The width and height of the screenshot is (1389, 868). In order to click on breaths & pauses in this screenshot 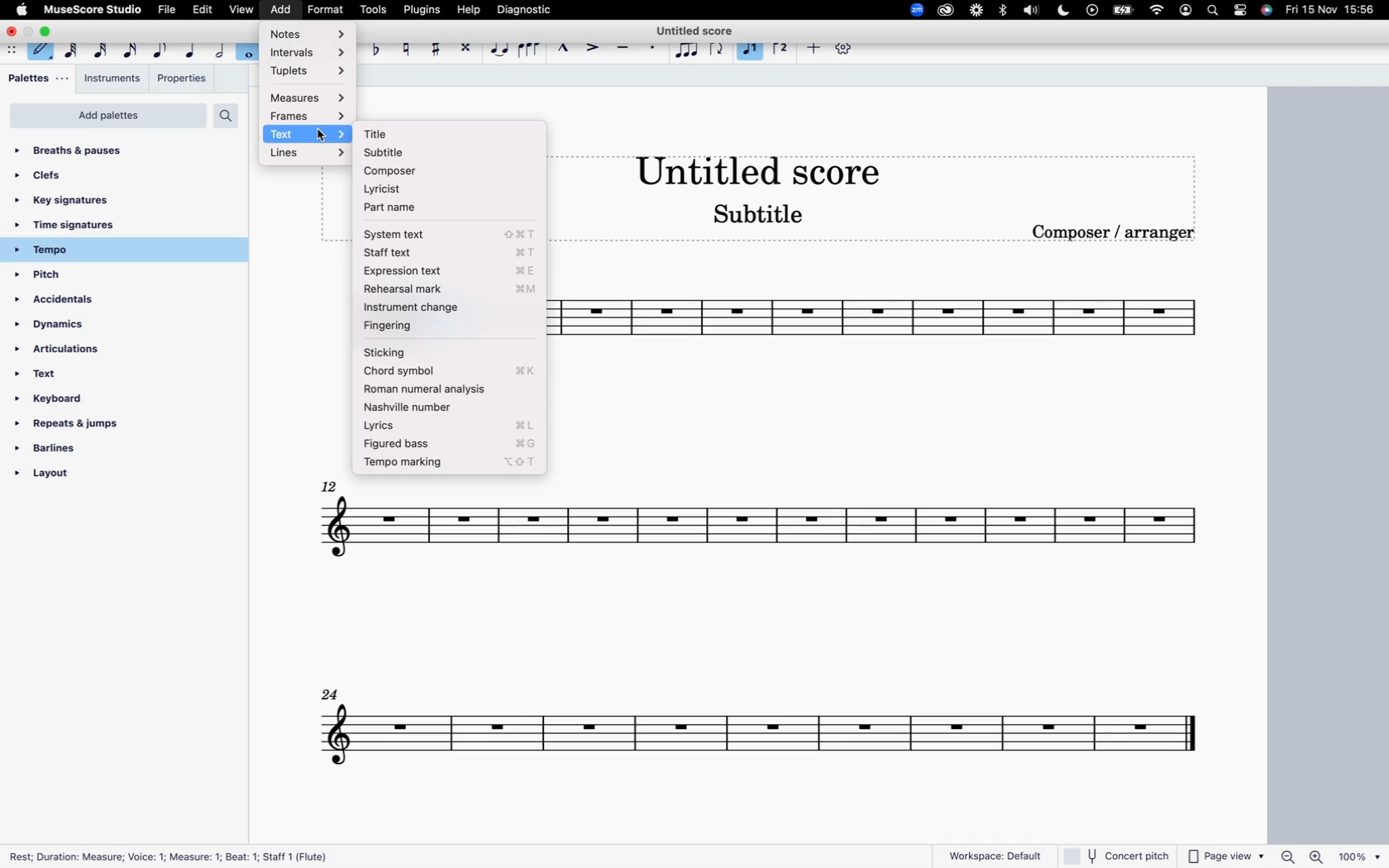, I will do `click(100, 150)`.